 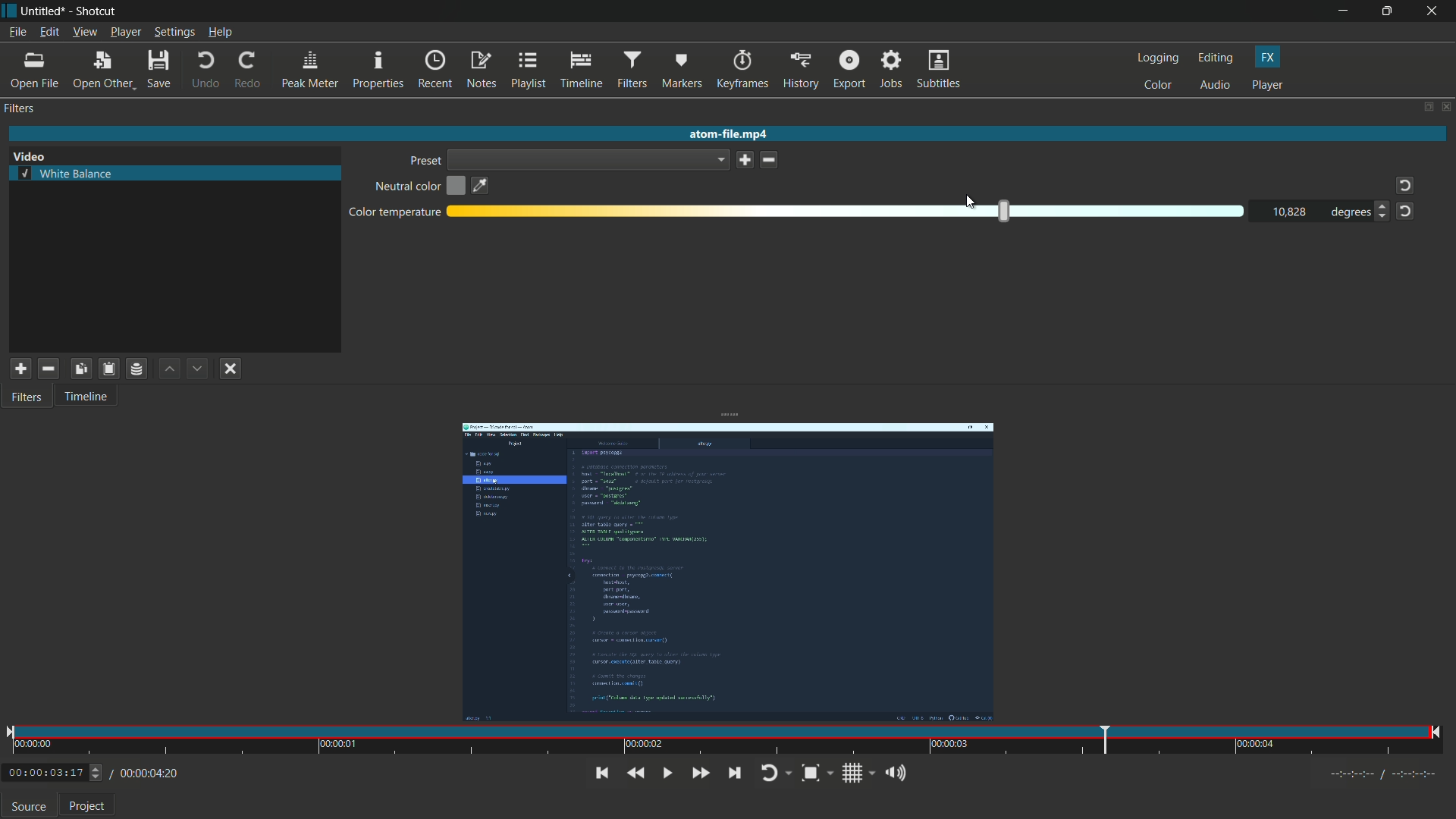 I want to click on copy checked filter, so click(x=80, y=369).